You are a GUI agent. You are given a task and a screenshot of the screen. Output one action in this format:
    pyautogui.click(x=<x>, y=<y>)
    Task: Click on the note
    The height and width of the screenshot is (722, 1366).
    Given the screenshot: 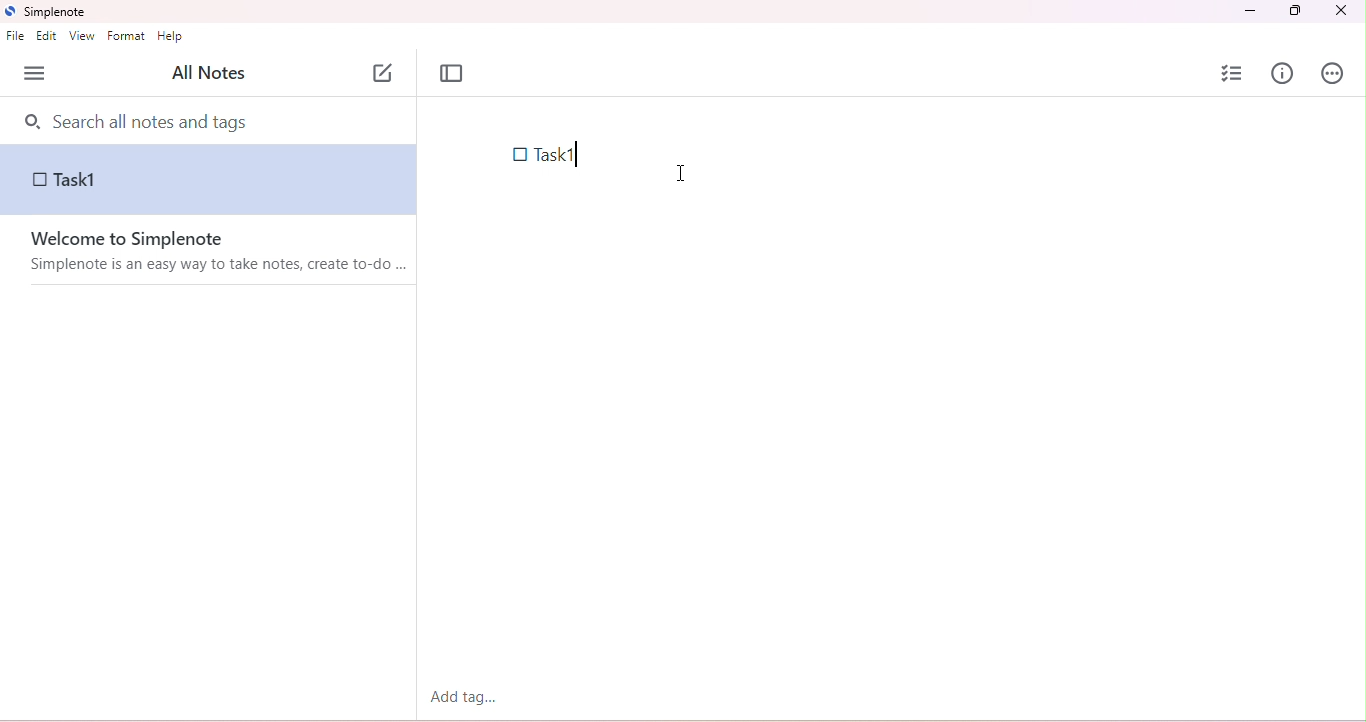 What is the action you would take?
    pyautogui.click(x=209, y=180)
    